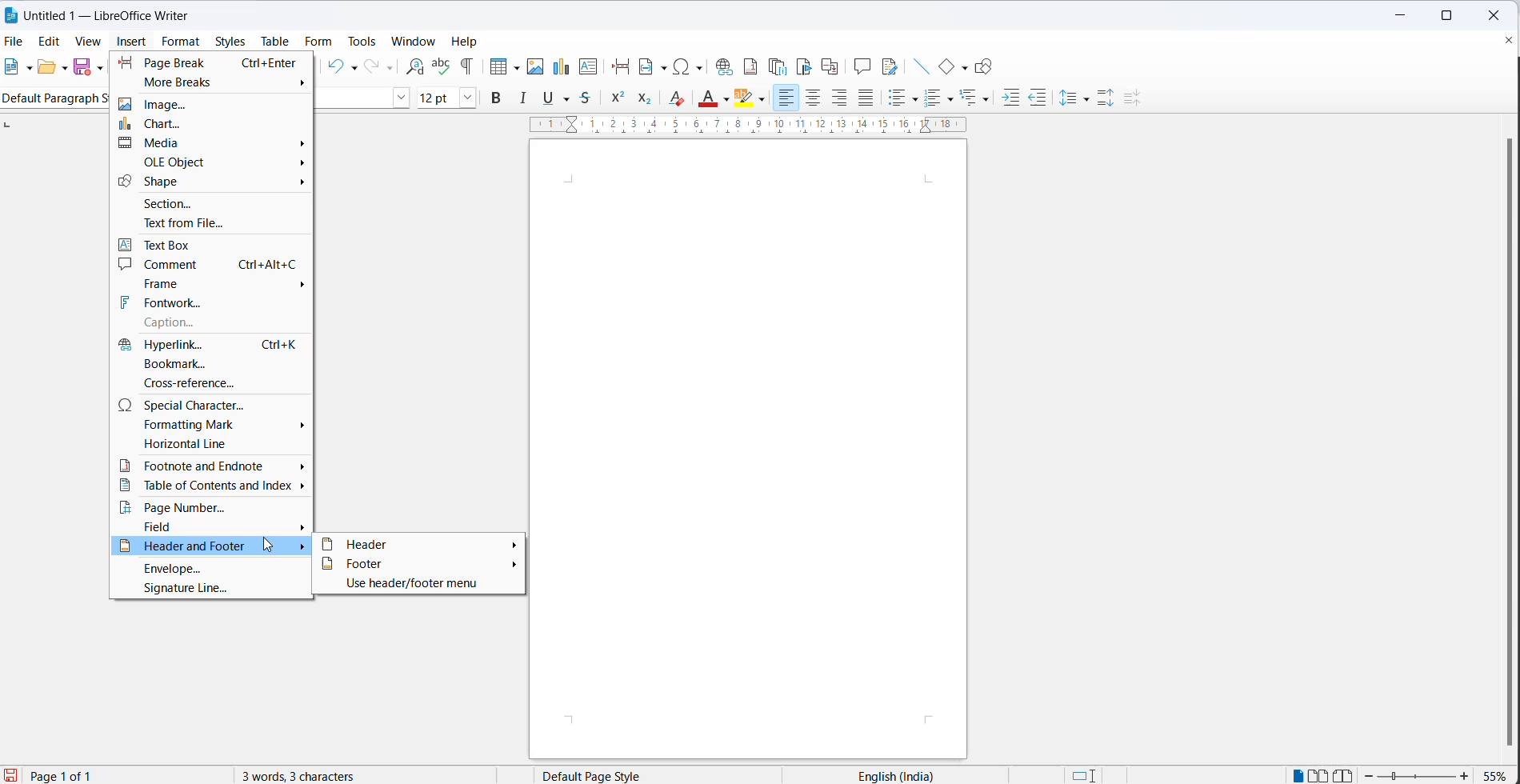 This screenshot has height=784, width=1520. Describe the element at coordinates (214, 526) in the screenshot. I see `field` at that location.